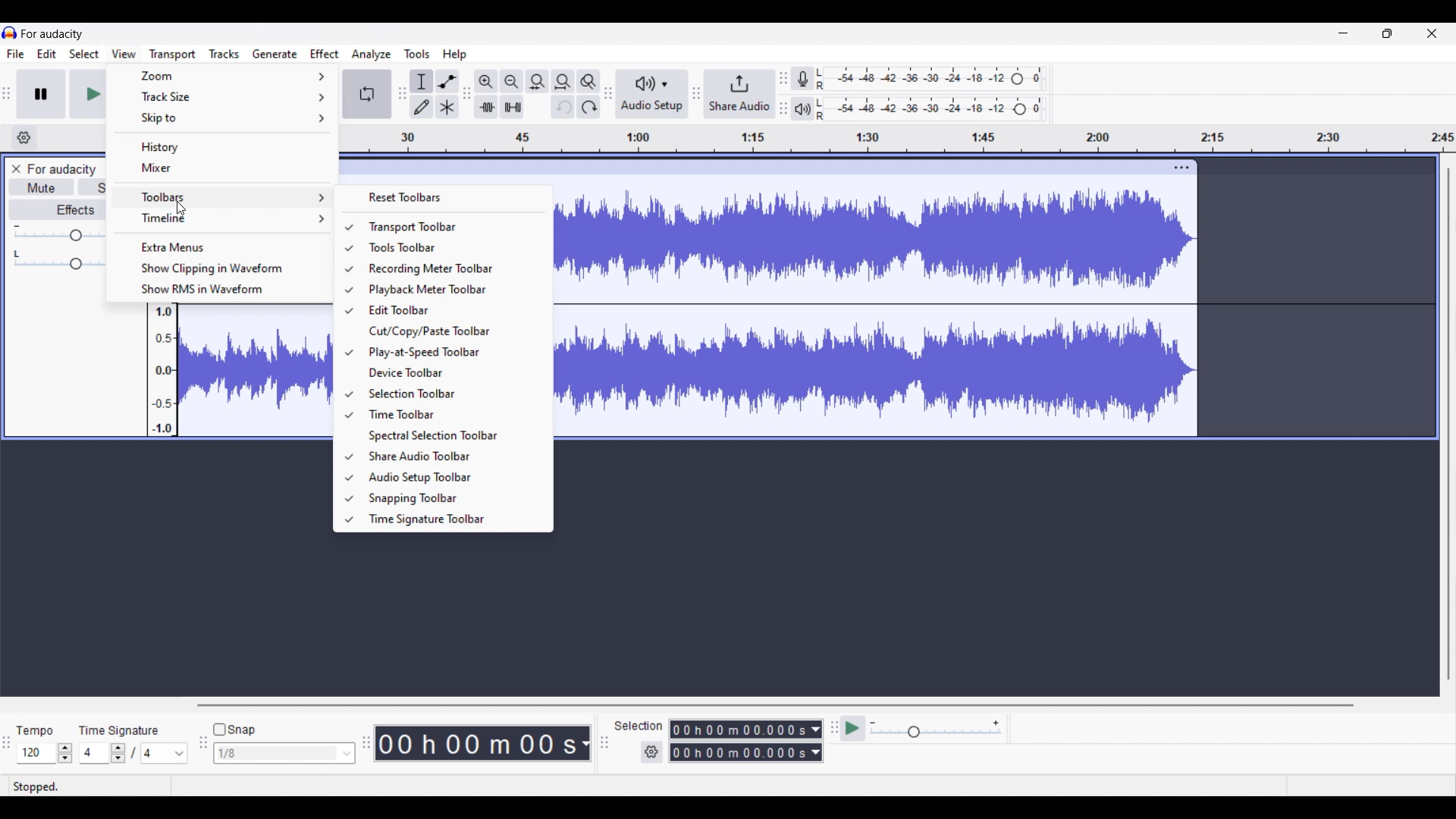 This screenshot has width=1456, height=819. What do you see at coordinates (932, 79) in the screenshot?
I see `Recording level` at bounding box center [932, 79].